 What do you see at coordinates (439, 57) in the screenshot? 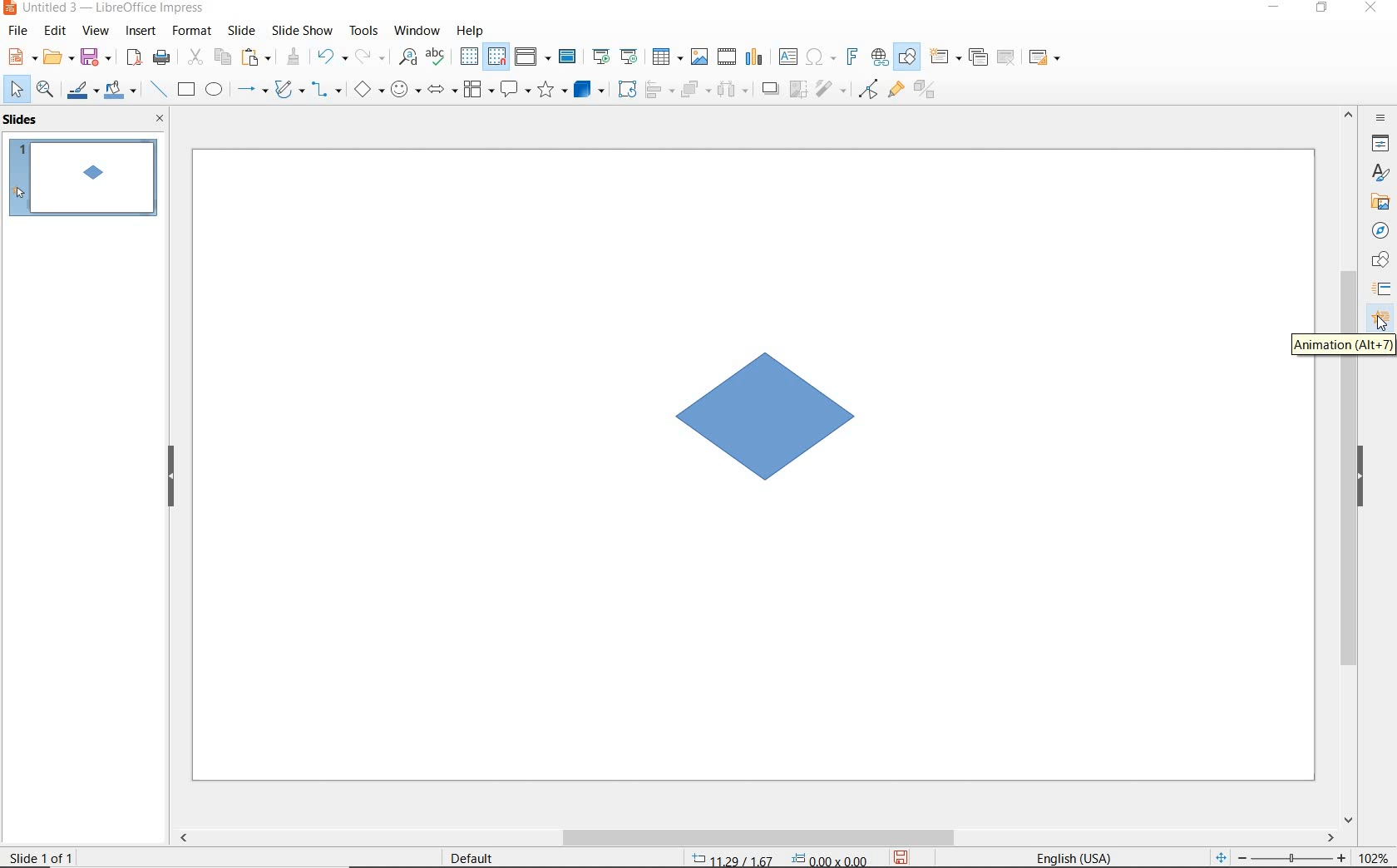
I see `spelling` at bounding box center [439, 57].